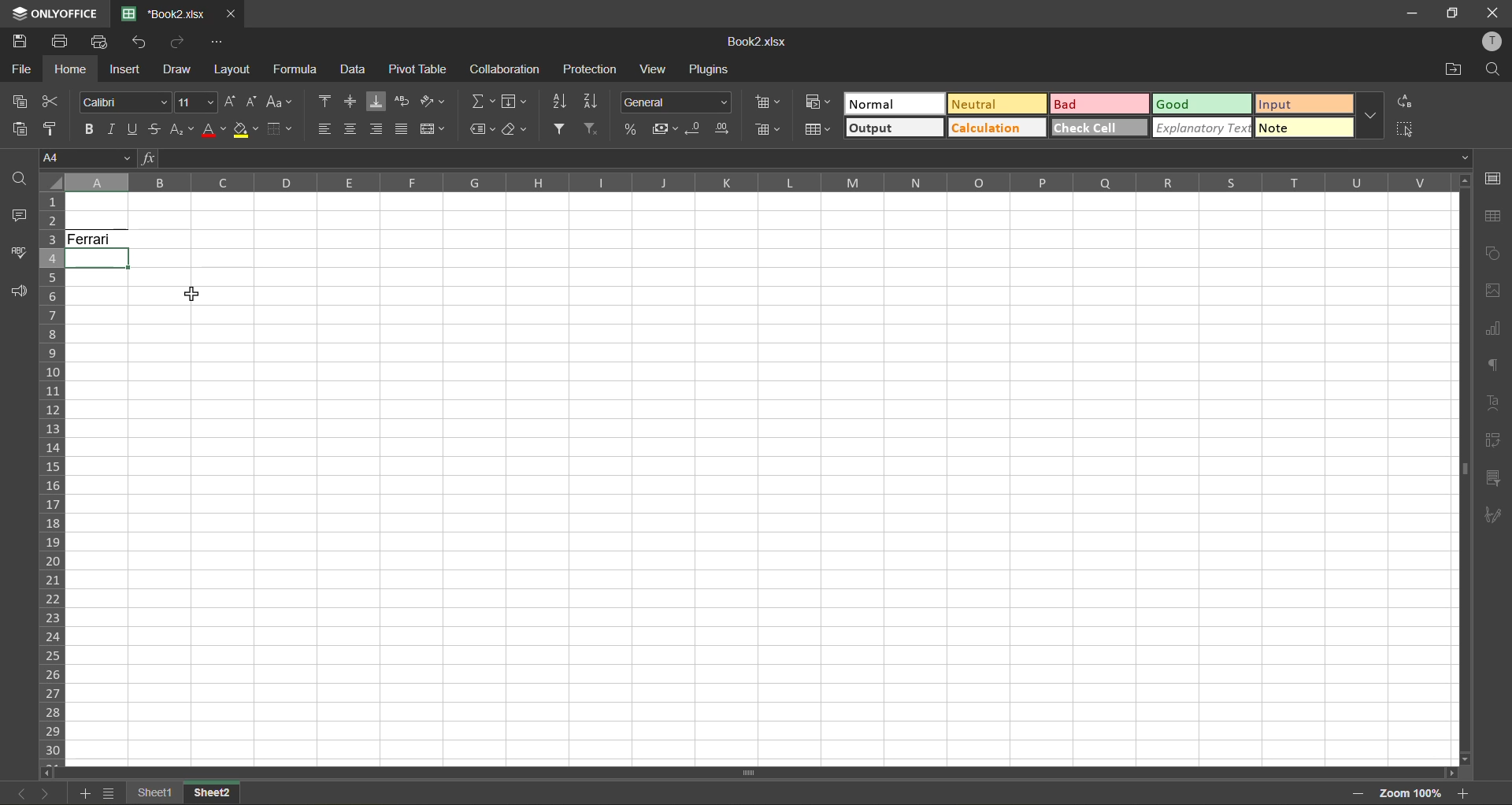 This screenshot has height=805, width=1512. What do you see at coordinates (1492, 216) in the screenshot?
I see `table` at bounding box center [1492, 216].